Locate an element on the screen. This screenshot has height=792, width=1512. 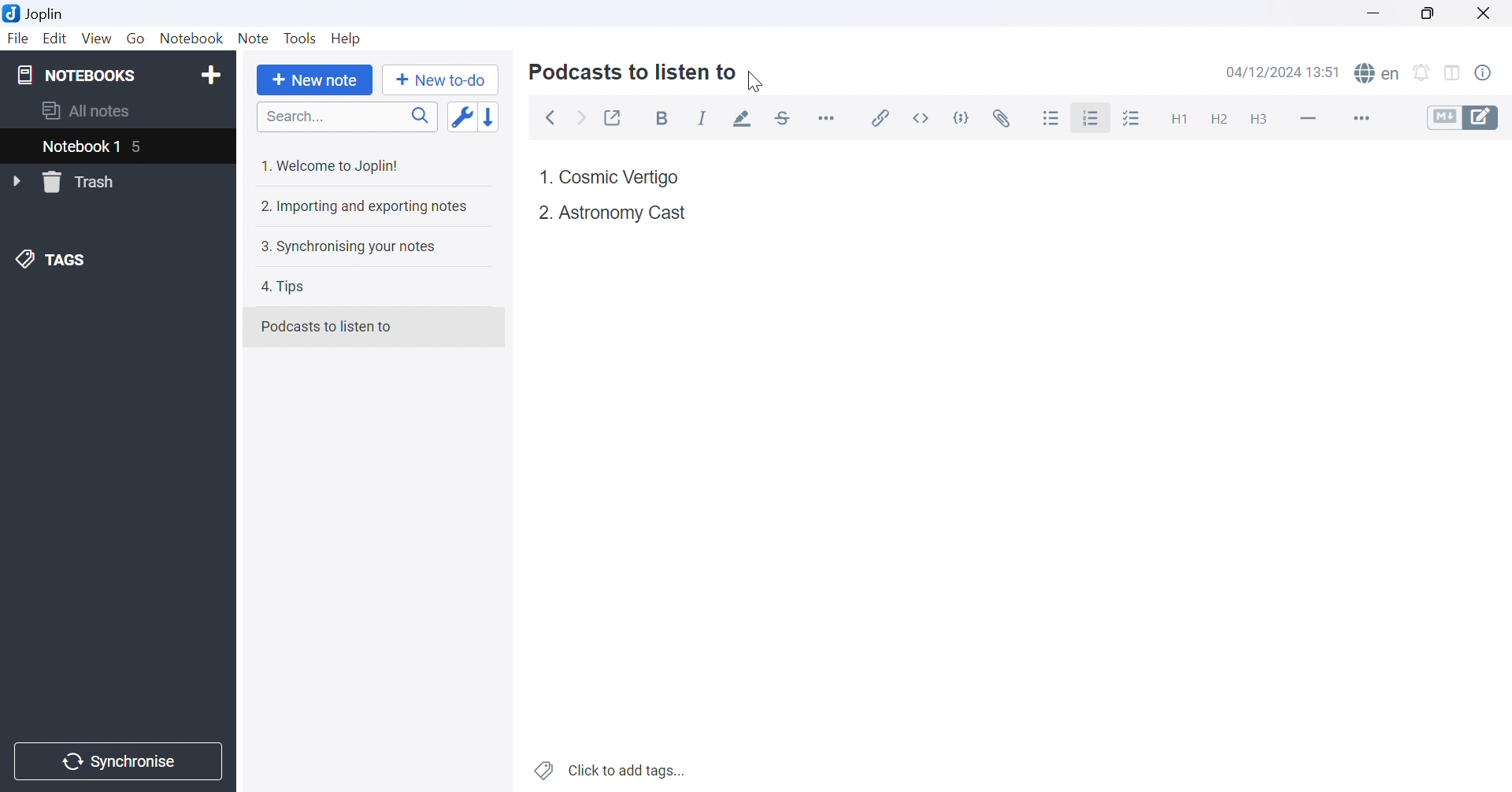
Back is located at coordinates (552, 119).